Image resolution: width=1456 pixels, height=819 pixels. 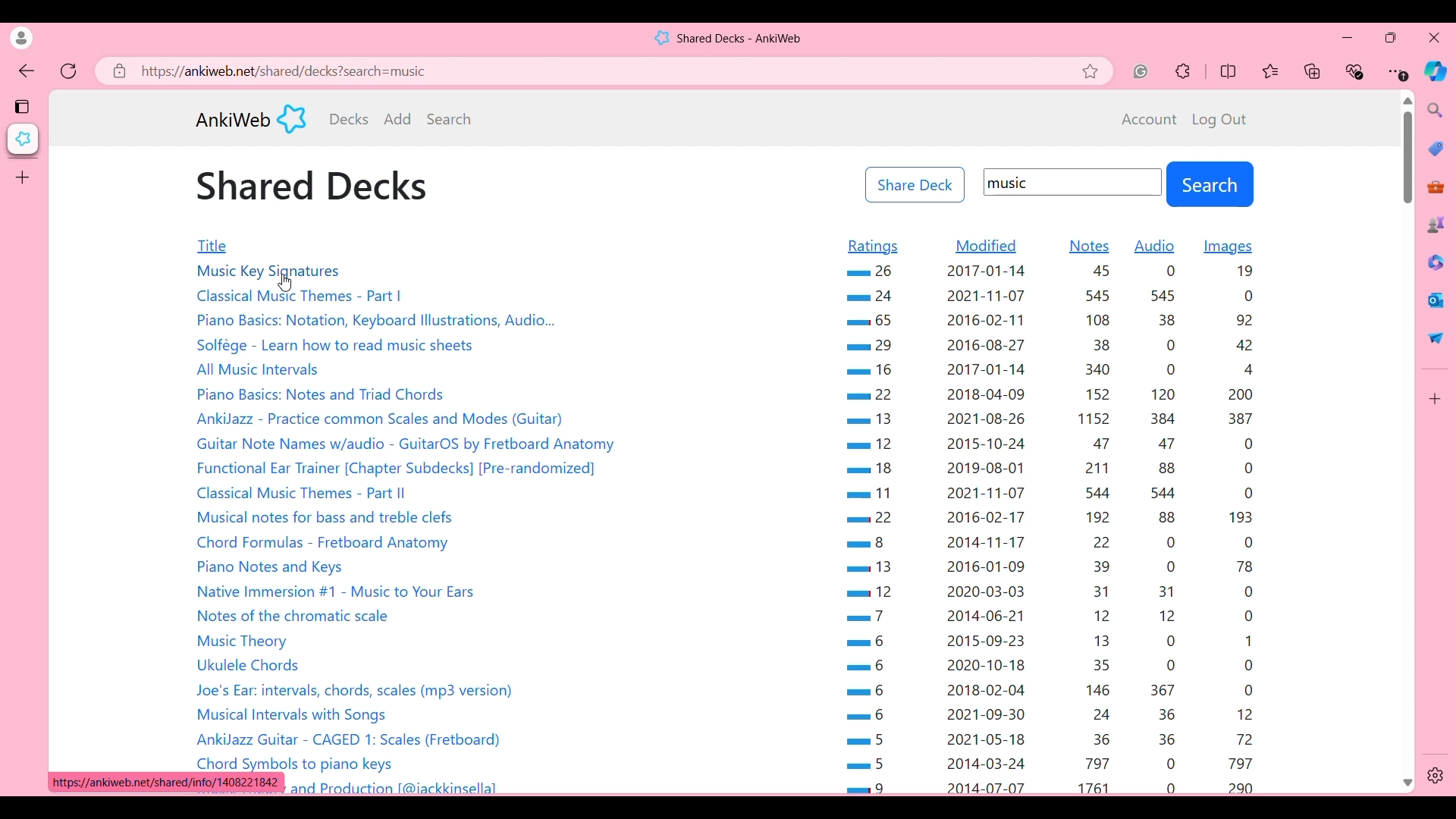 I want to click on Add current page to favorites, so click(x=1096, y=71).